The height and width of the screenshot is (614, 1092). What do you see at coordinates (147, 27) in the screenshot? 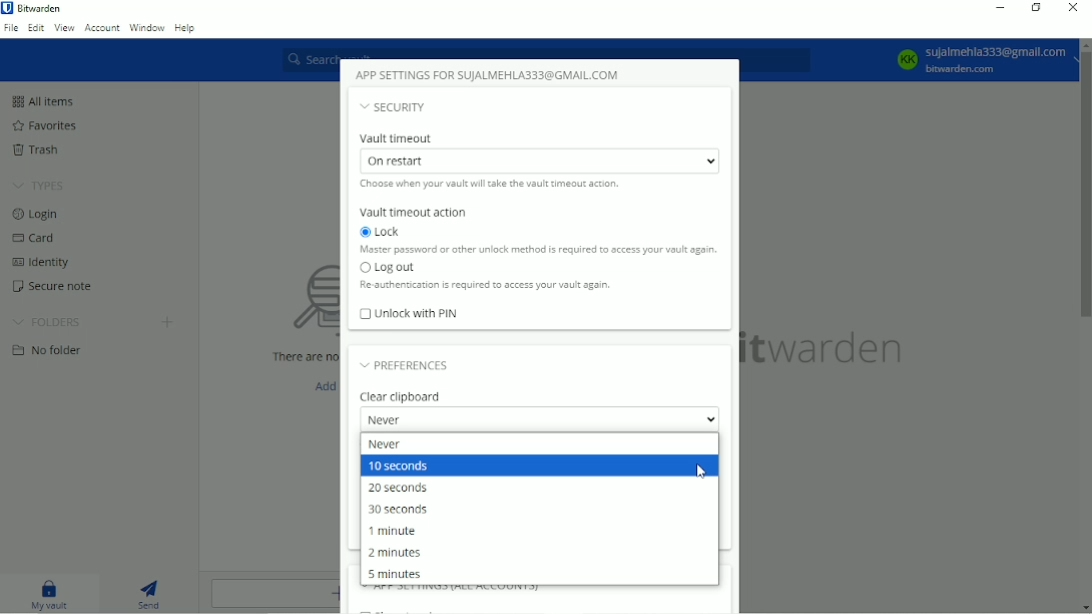
I see `Window` at bounding box center [147, 27].